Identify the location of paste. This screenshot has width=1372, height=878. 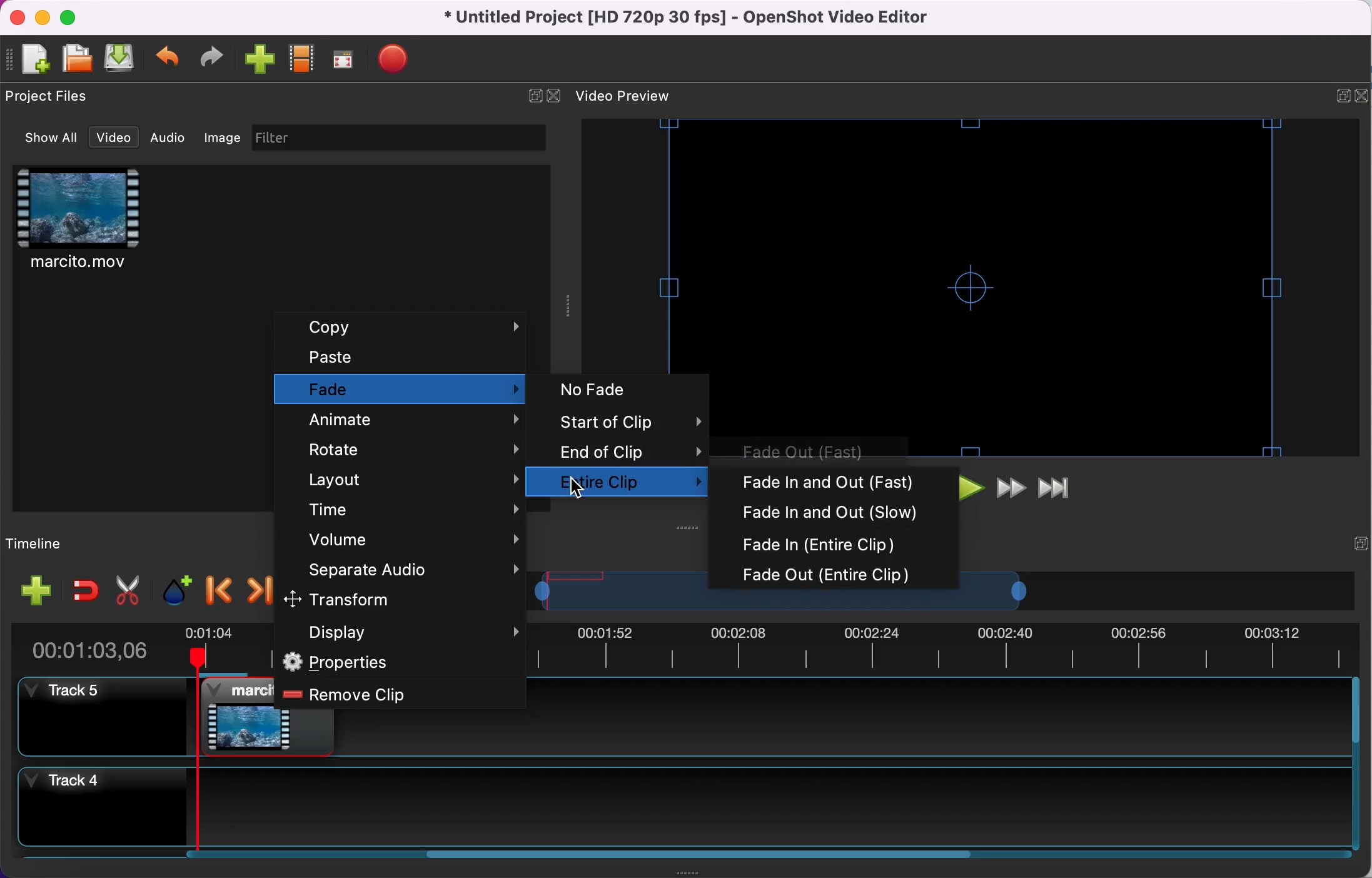
(406, 356).